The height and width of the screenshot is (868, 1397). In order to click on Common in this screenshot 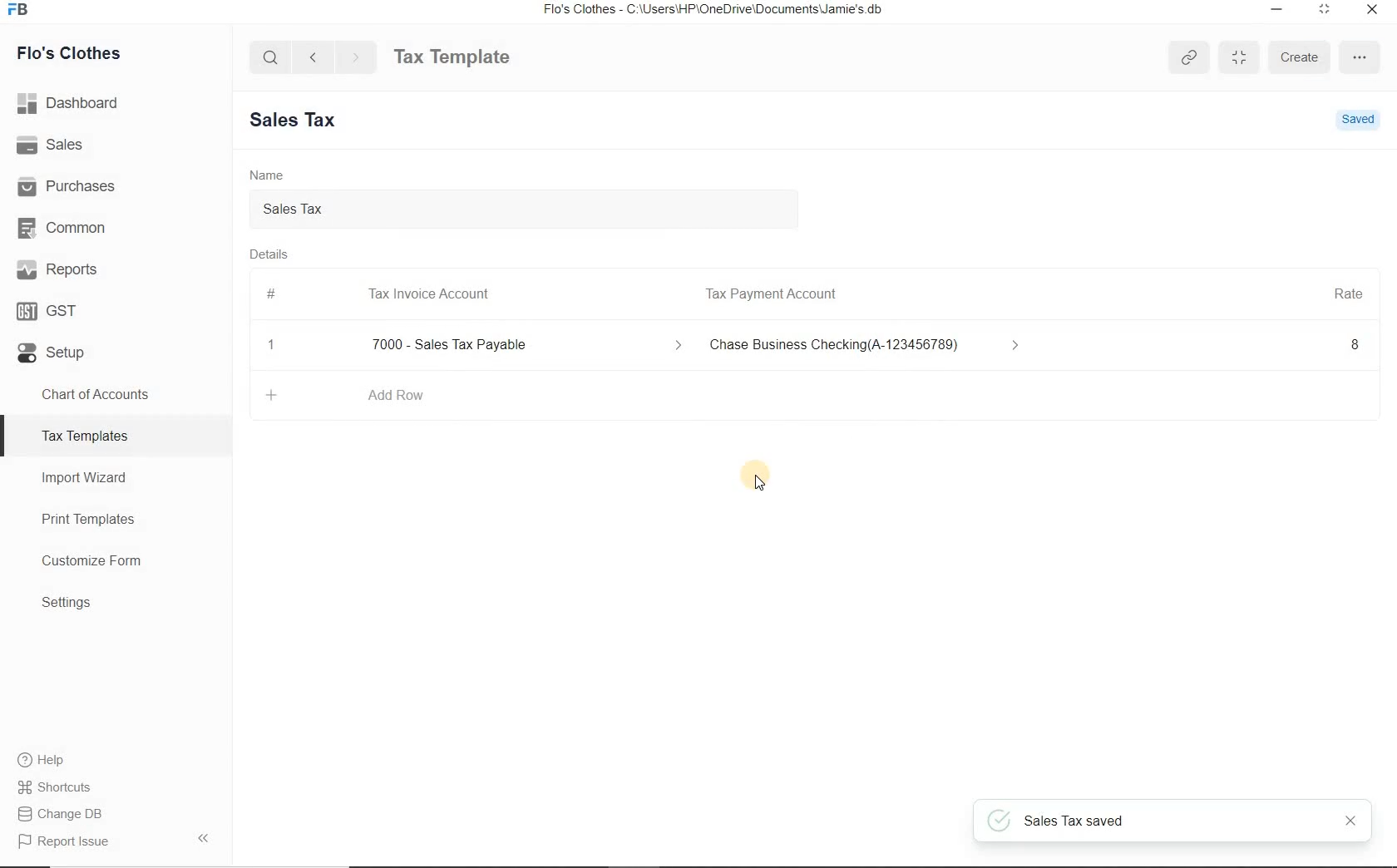, I will do `click(116, 225)`.